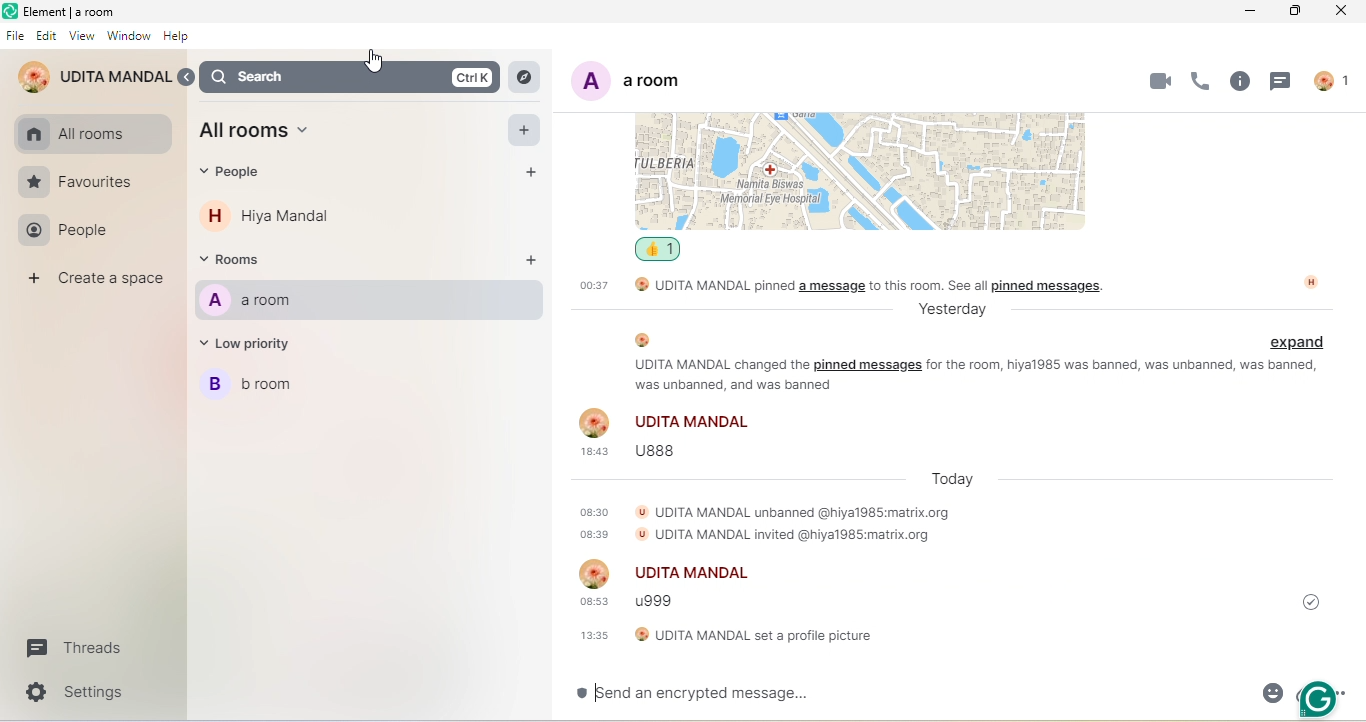  I want to click on ® [send an encrypted message..., so click(711, 694).